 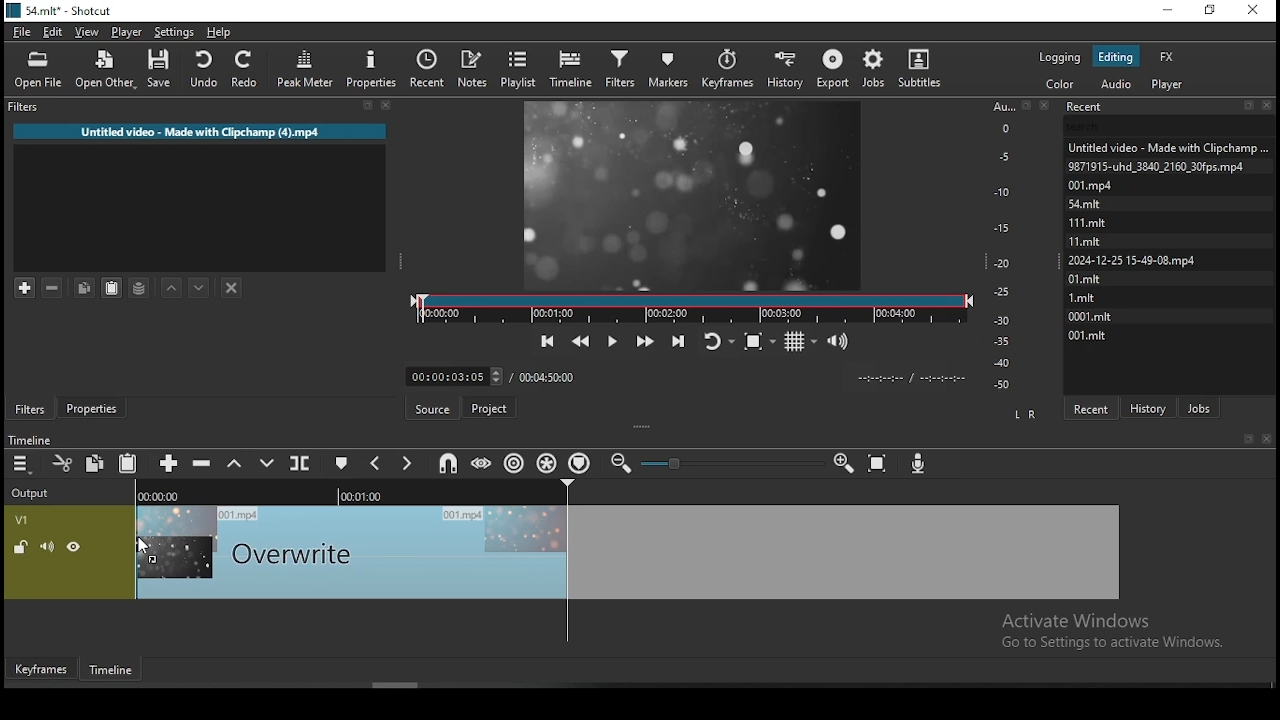 I want to click on next marker, so click(x=407, y=463).